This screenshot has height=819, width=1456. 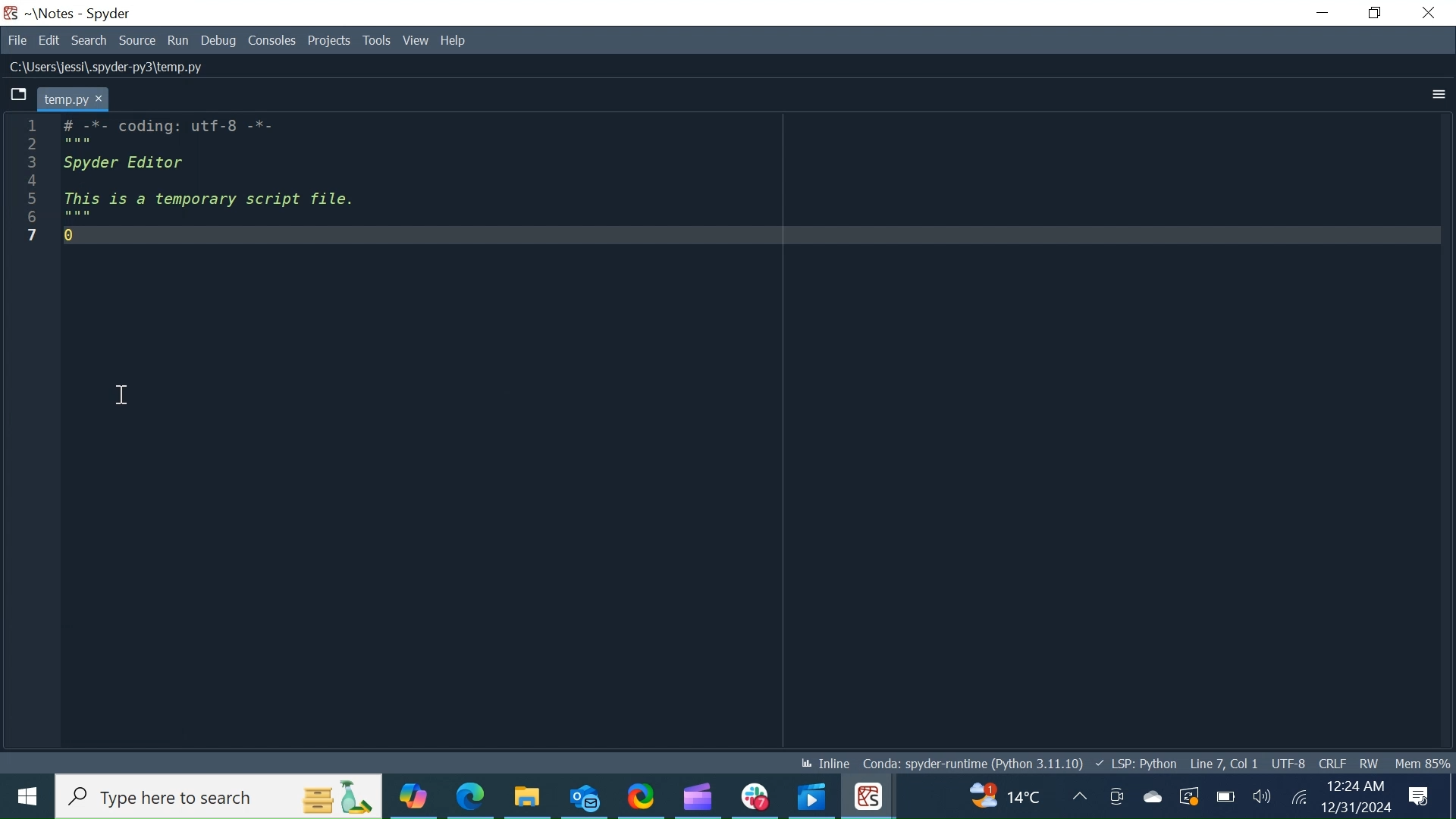 I want to click on Microsoft Clipchamp Desktop Icon, so click(x=699, y=795).